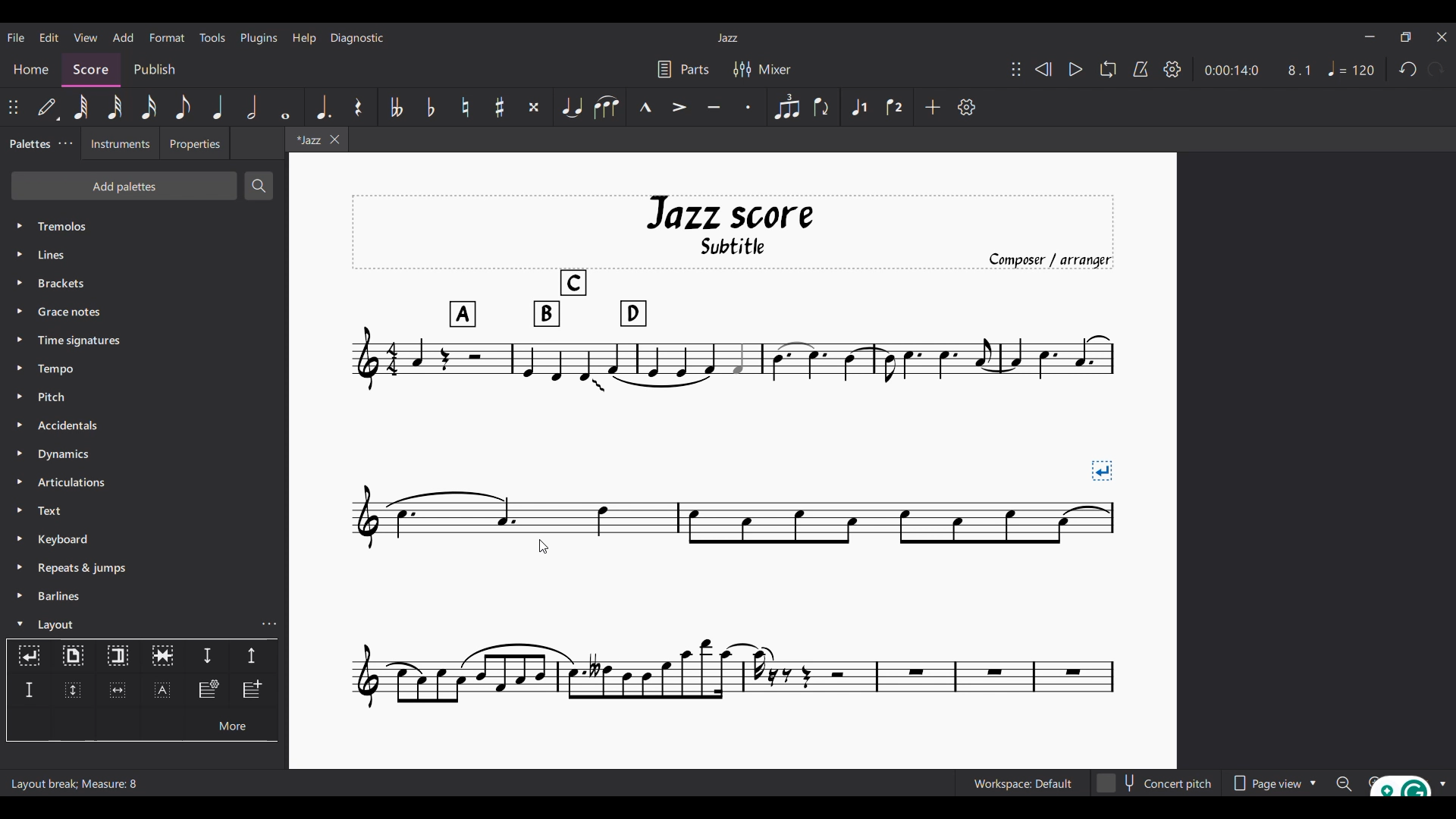  Describe the element at coordinates (31, 69) in the screenshot. I see `Home section` at that location.